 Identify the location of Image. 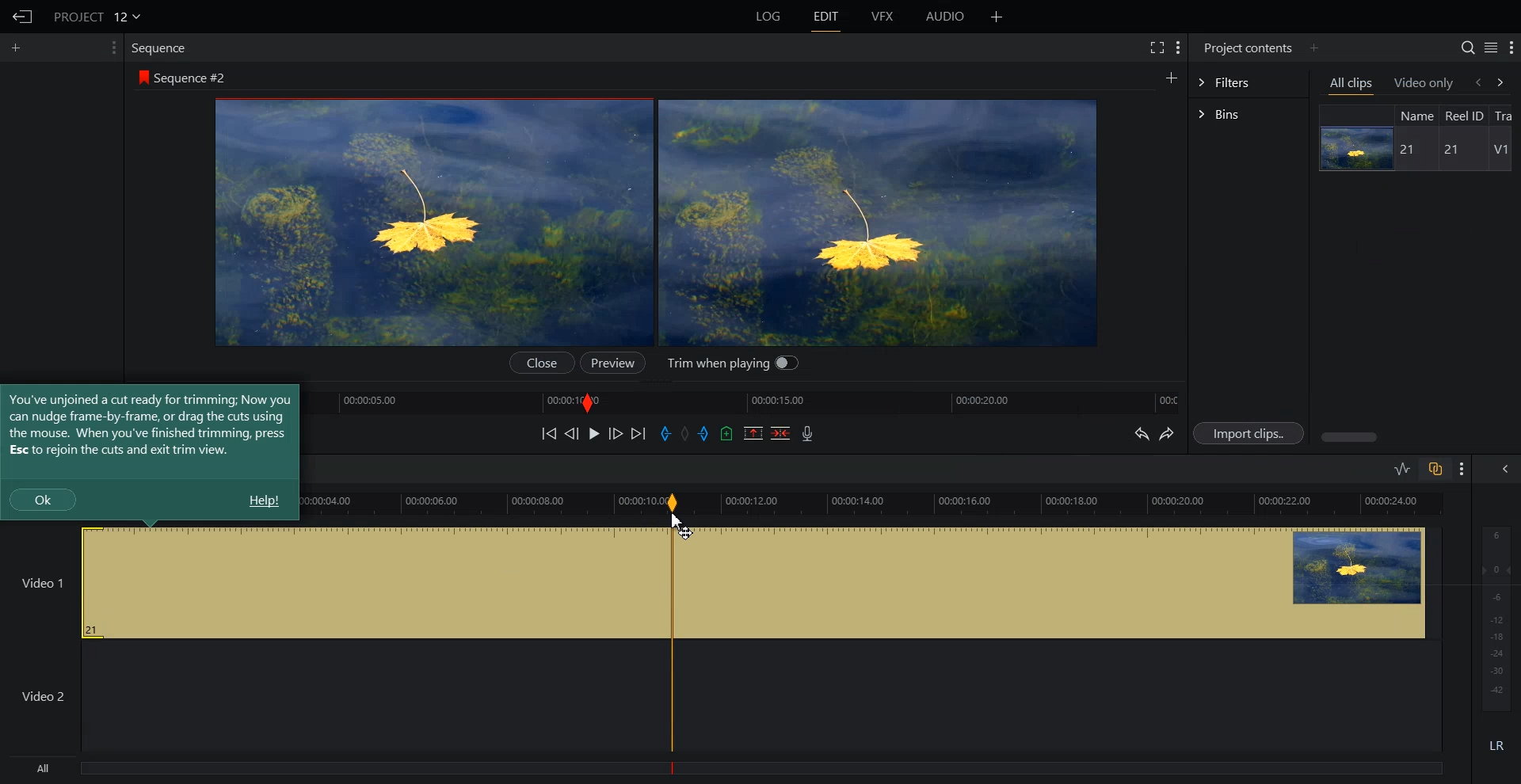
(1354, 148).